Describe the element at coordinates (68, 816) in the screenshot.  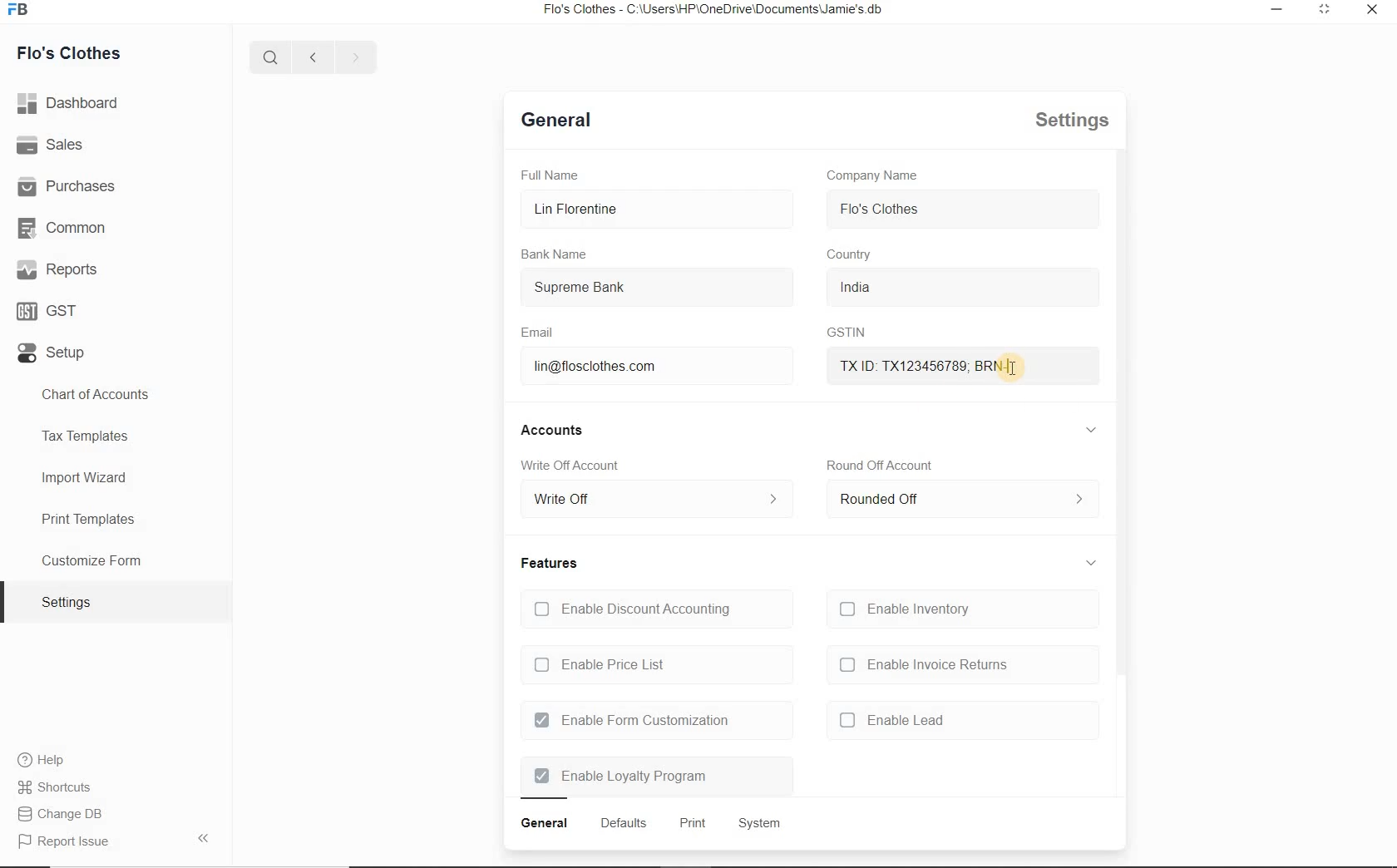
I see `Report Issue` at that location.